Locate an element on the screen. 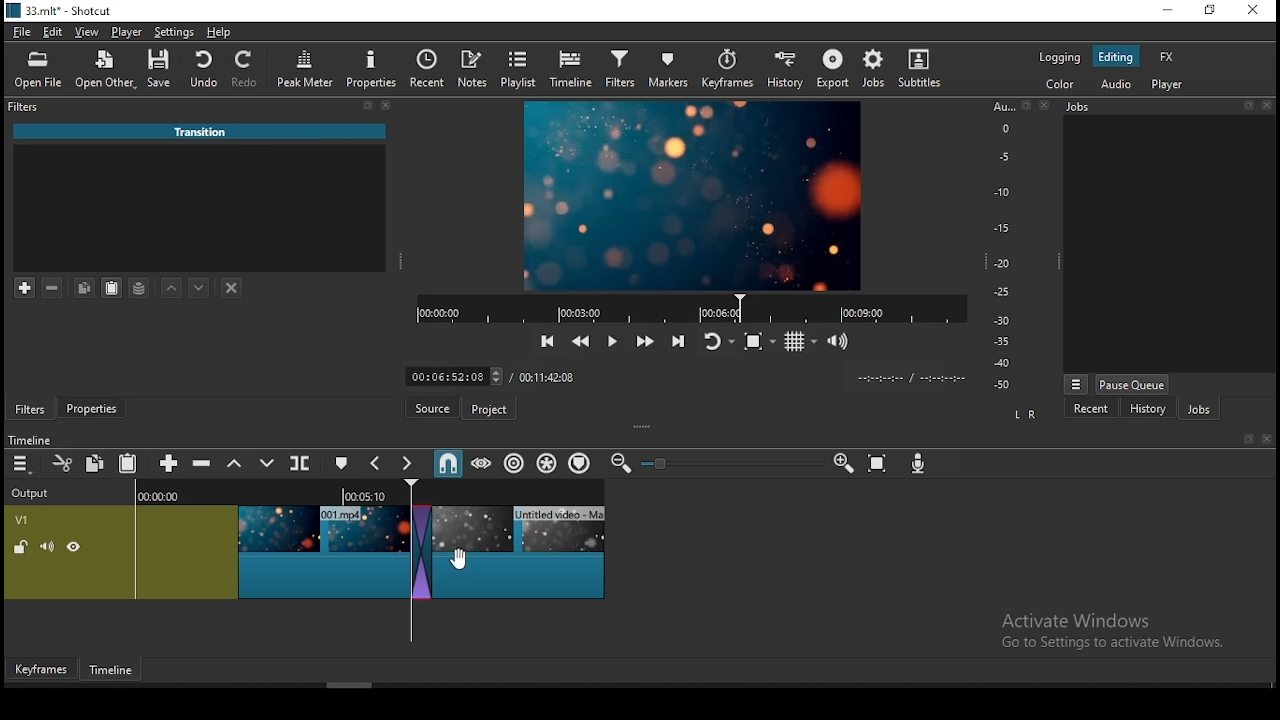 This screenshot has height=720, width=1280. book mark is located at coordinates (1245, 440).